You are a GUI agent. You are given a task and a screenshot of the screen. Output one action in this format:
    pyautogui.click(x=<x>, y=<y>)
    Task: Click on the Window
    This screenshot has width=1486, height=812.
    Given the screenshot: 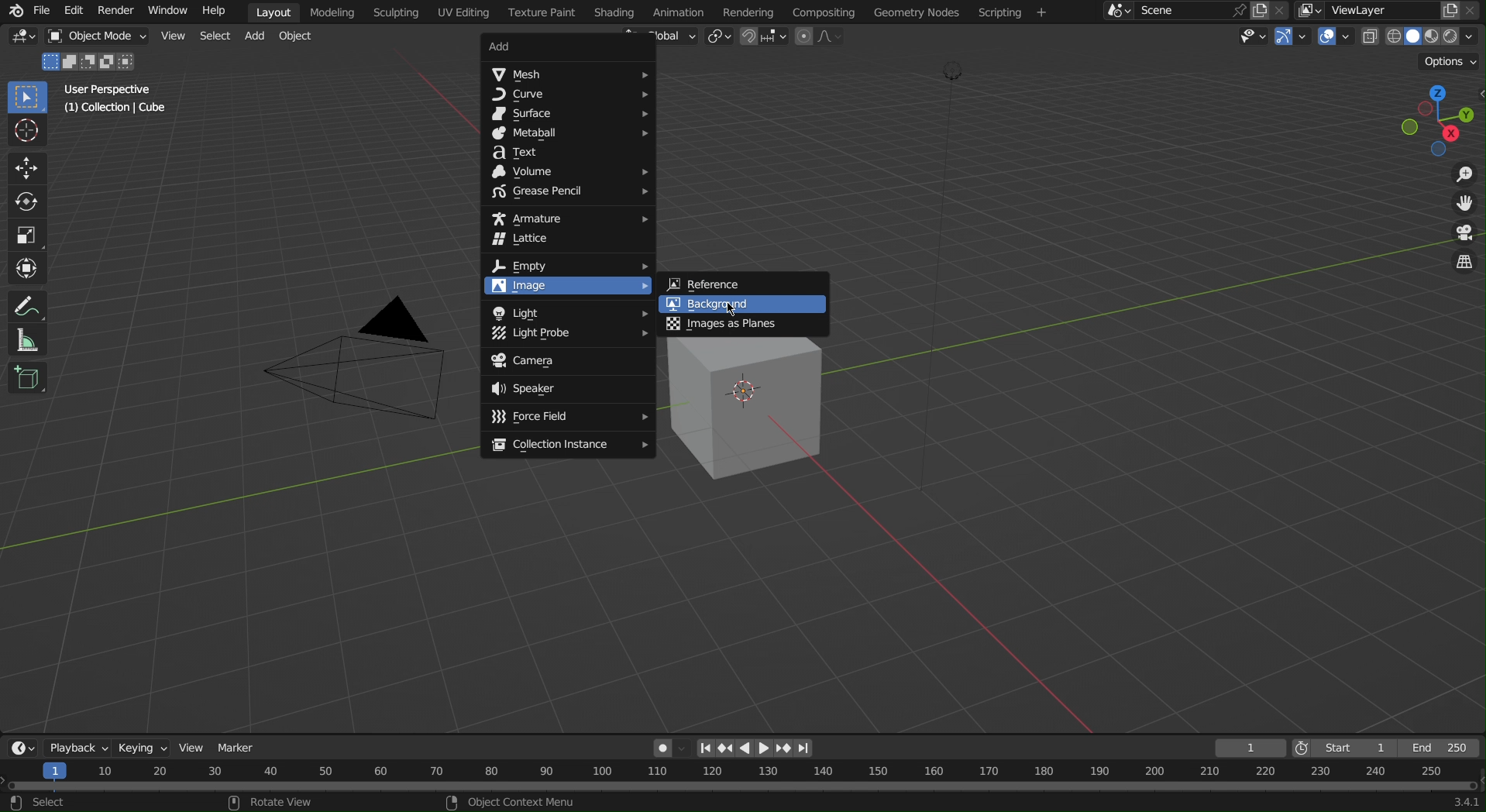 What is the action you would take?
    pyautogui.click(x=163, y=12)
    